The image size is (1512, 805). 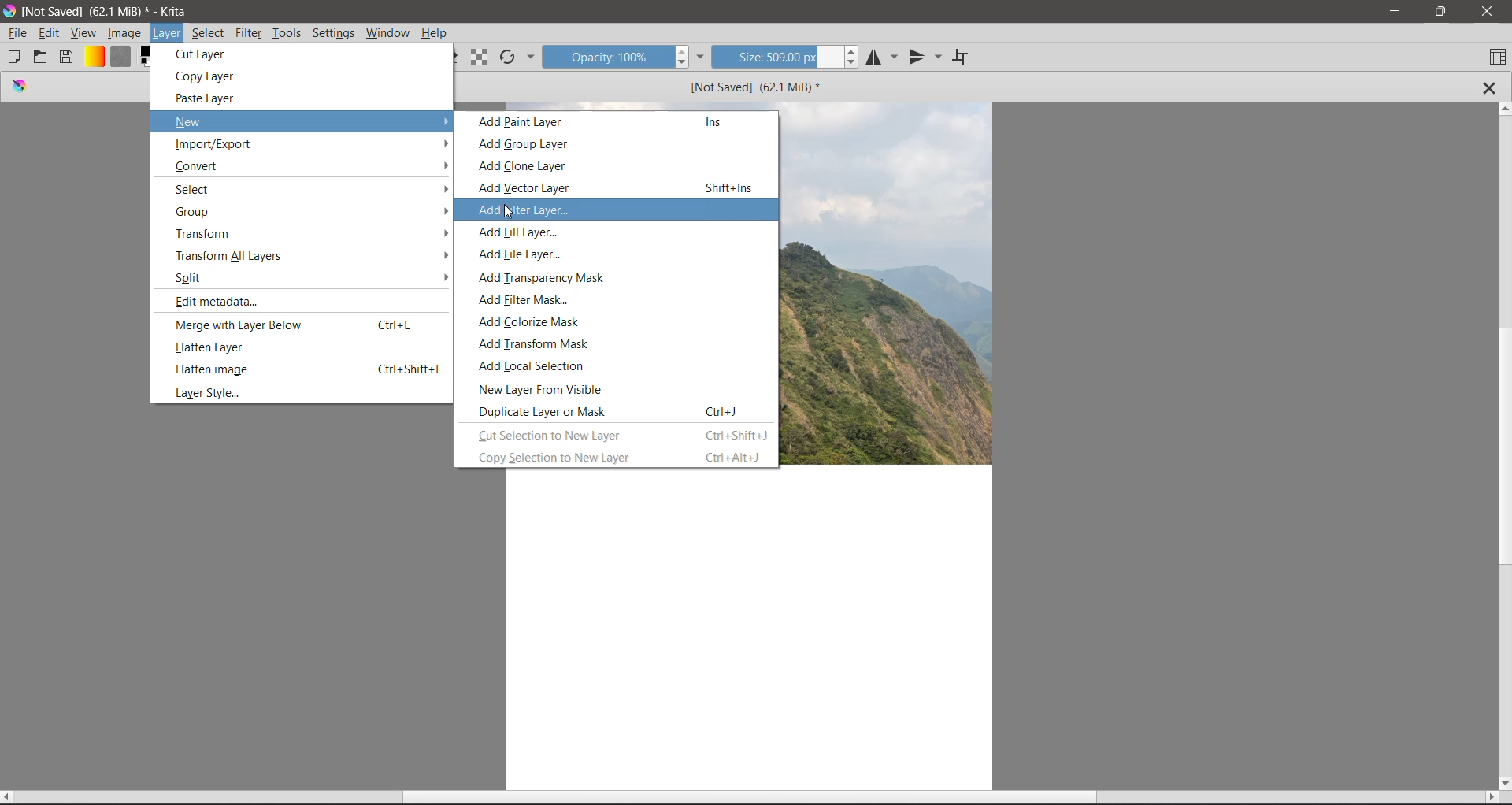 I want to click on logo, so click(x=20, y=88).